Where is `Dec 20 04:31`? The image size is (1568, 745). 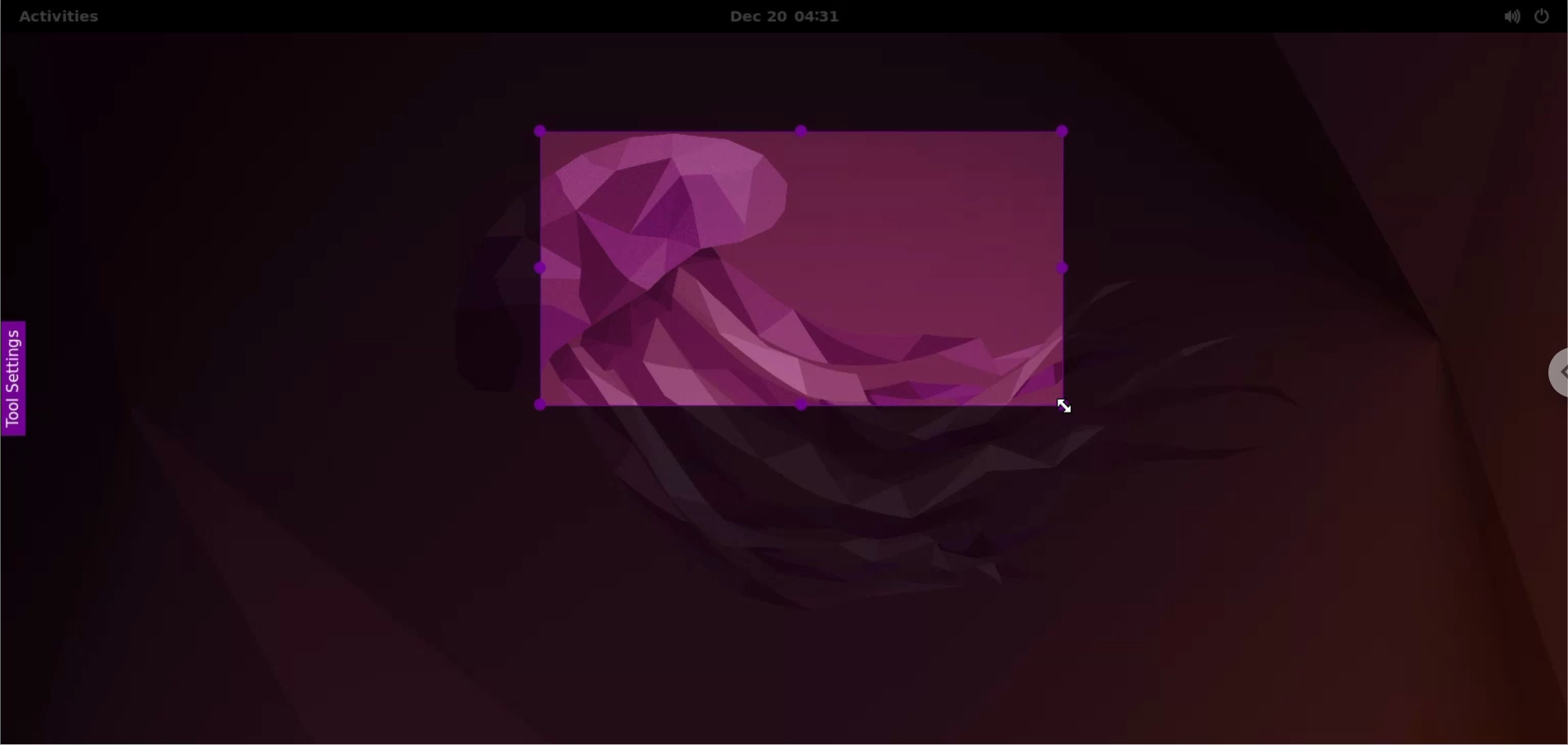
Dec 20 04:31 is located at coordinates (791, 17).